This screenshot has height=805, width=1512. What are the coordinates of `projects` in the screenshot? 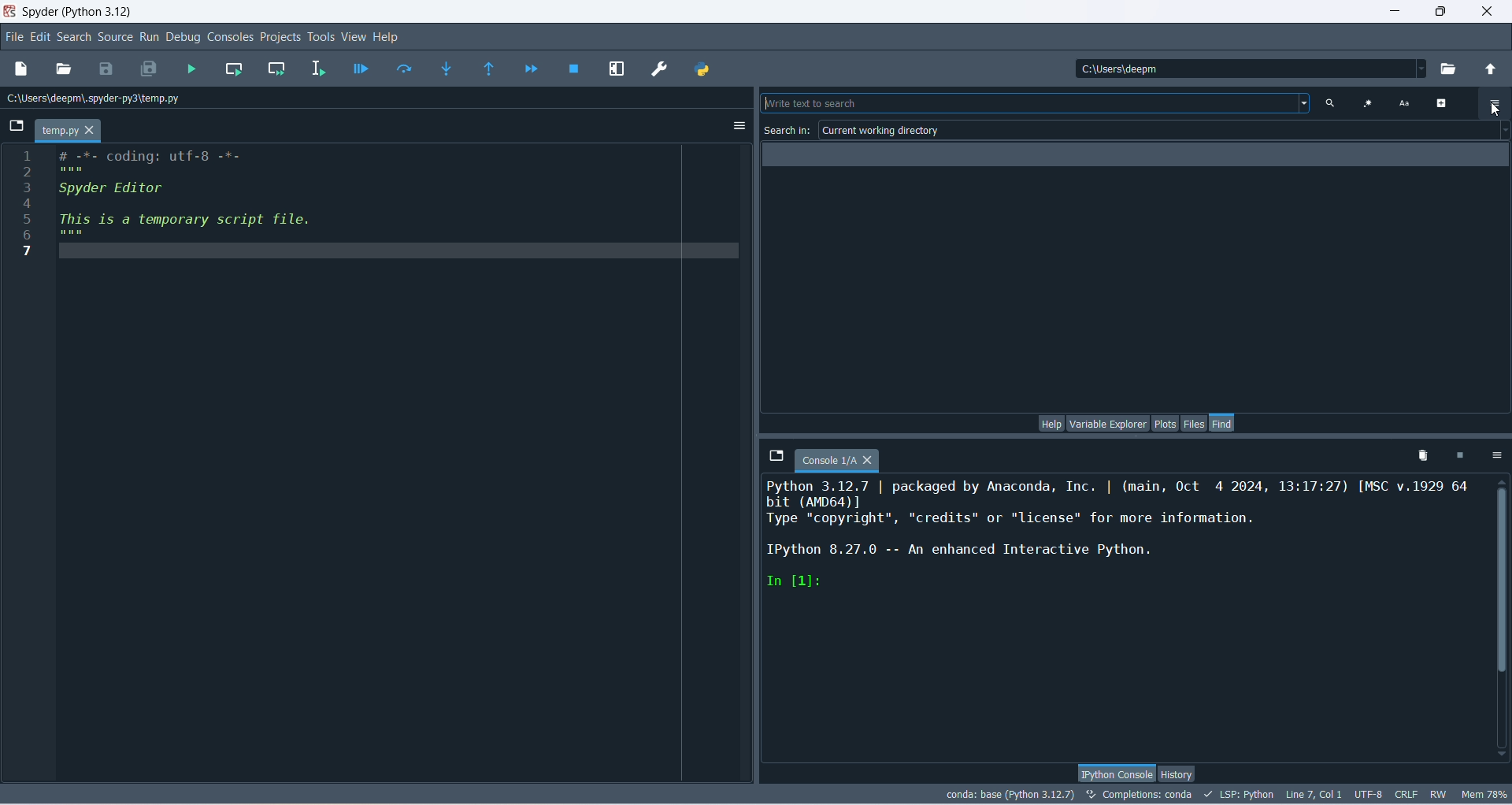 It's located at (280, 39).